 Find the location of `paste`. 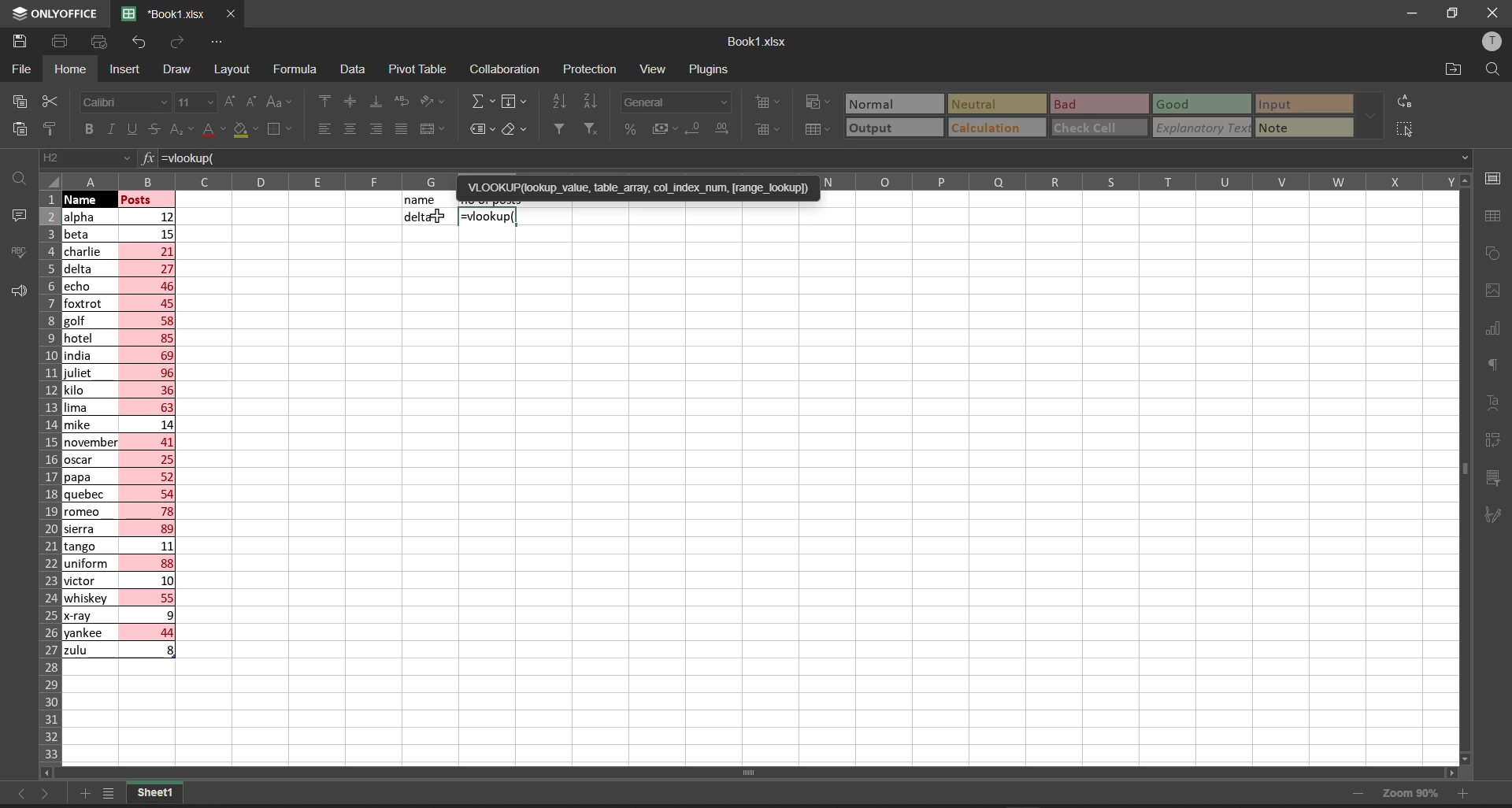

paste is located at coordinates (16, 128).